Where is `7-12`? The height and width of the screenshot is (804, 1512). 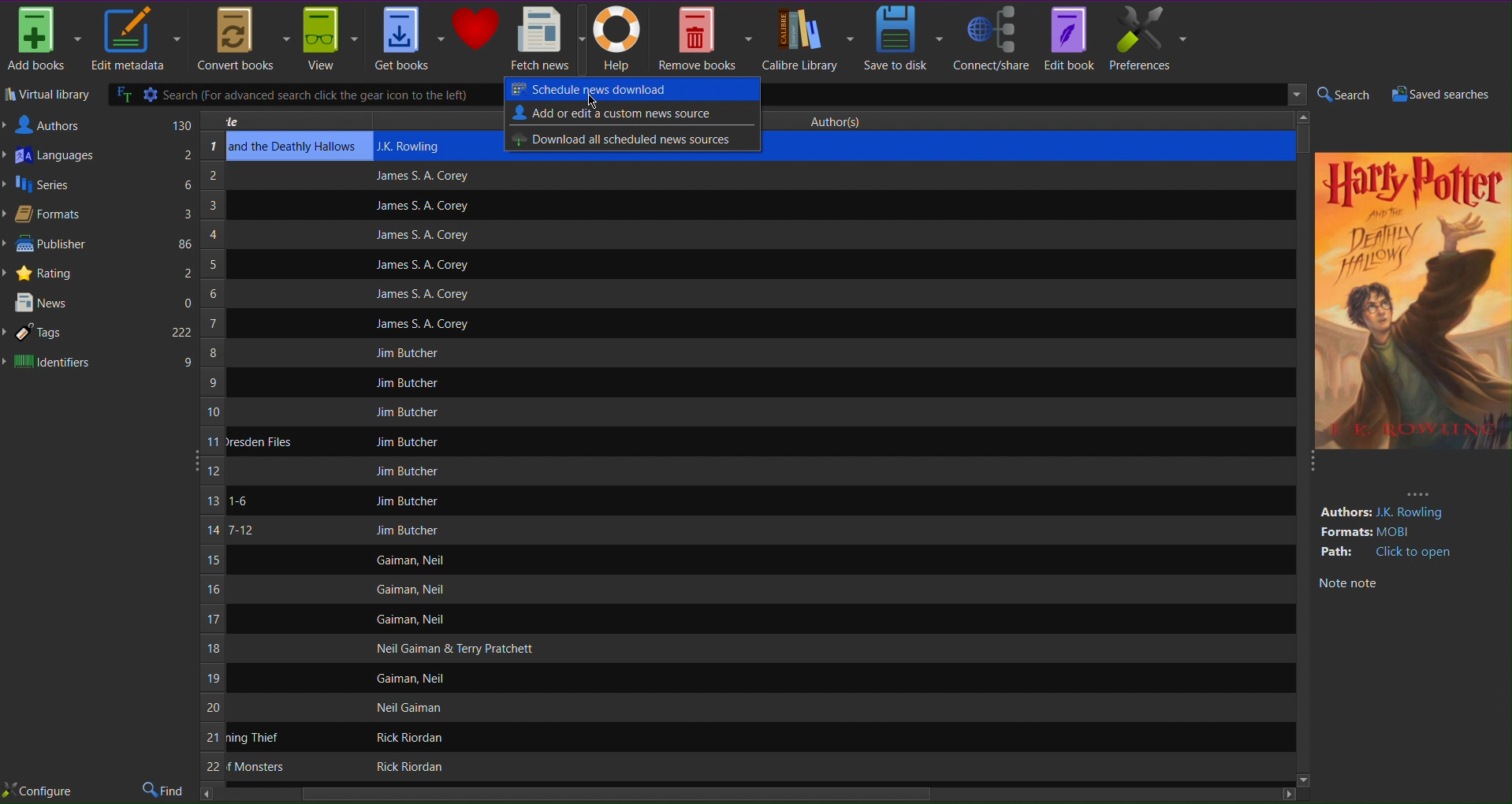 7-12 is located at coordinates (240, 530).